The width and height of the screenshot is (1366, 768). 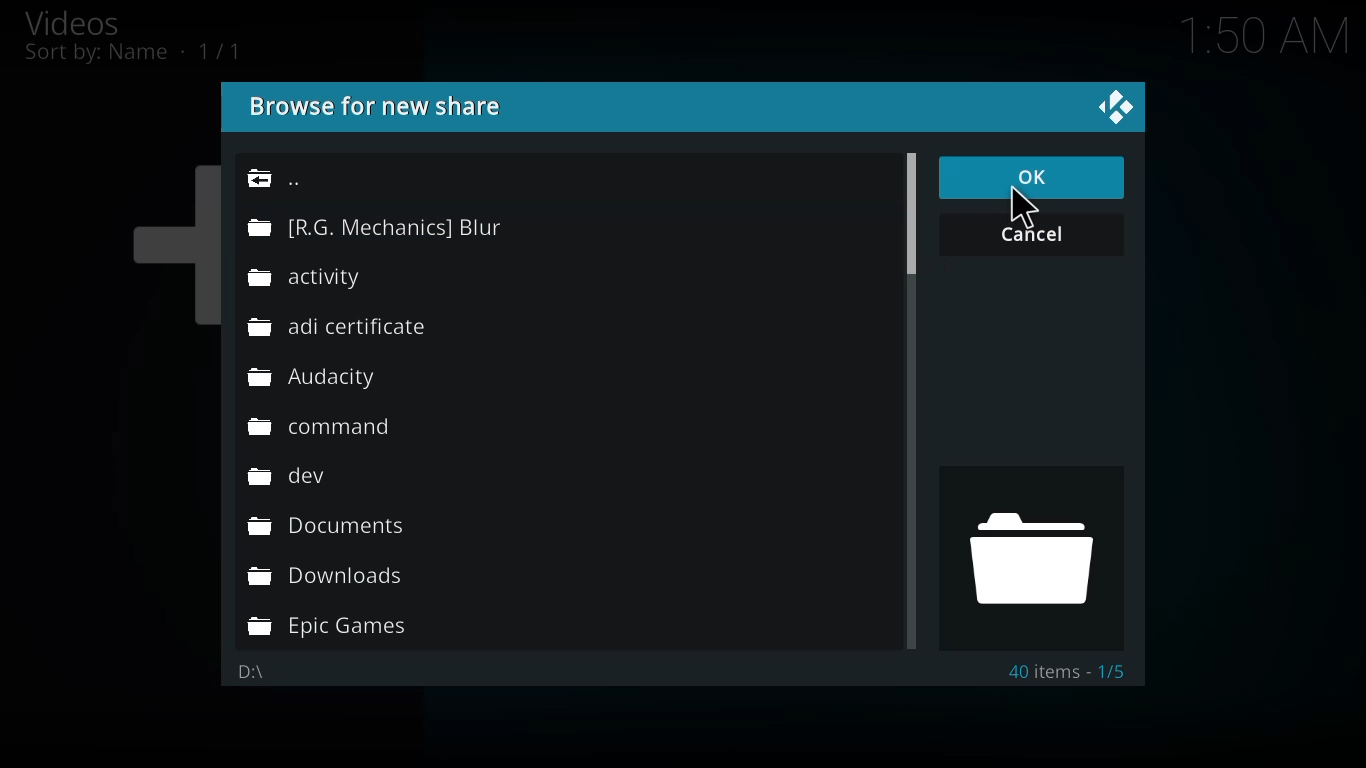 What do you see at coordinates (290, 477) in the screenshot?
I see `folder` at bounding box center [290, 477].